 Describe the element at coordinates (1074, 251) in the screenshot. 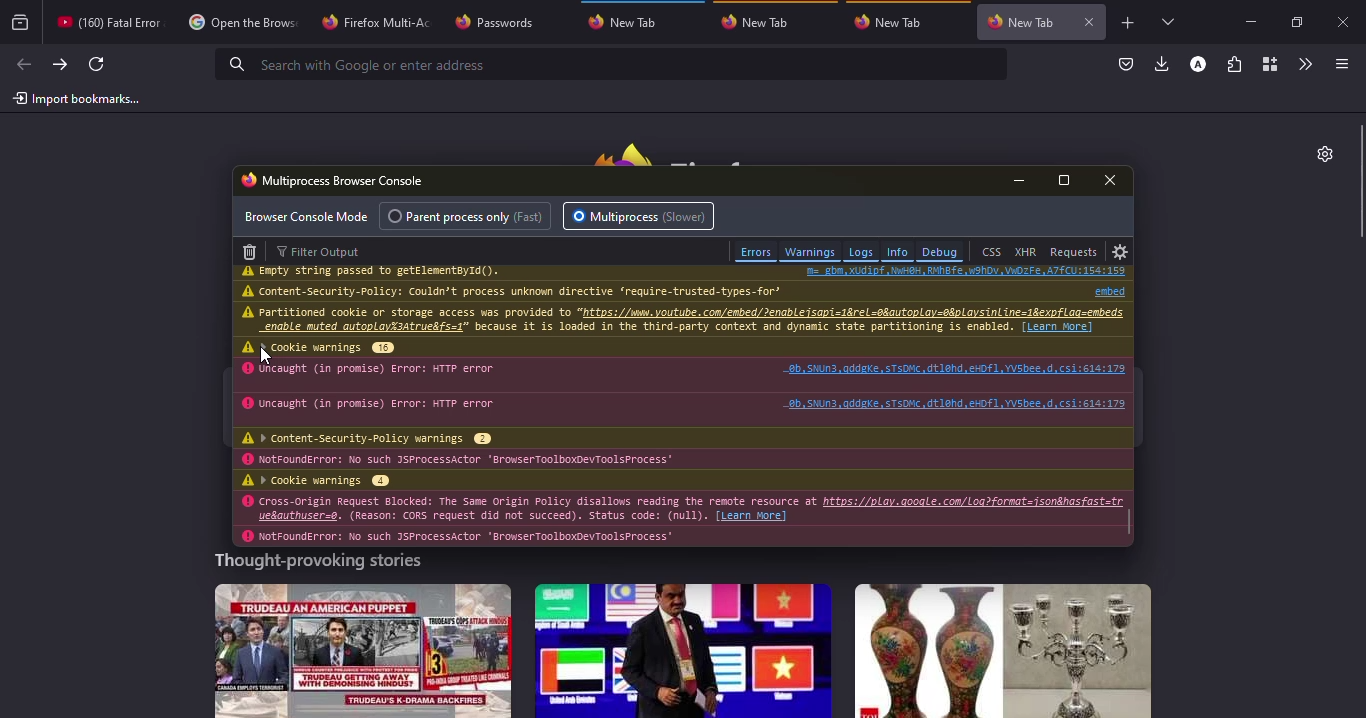

I see `requests` at that location.